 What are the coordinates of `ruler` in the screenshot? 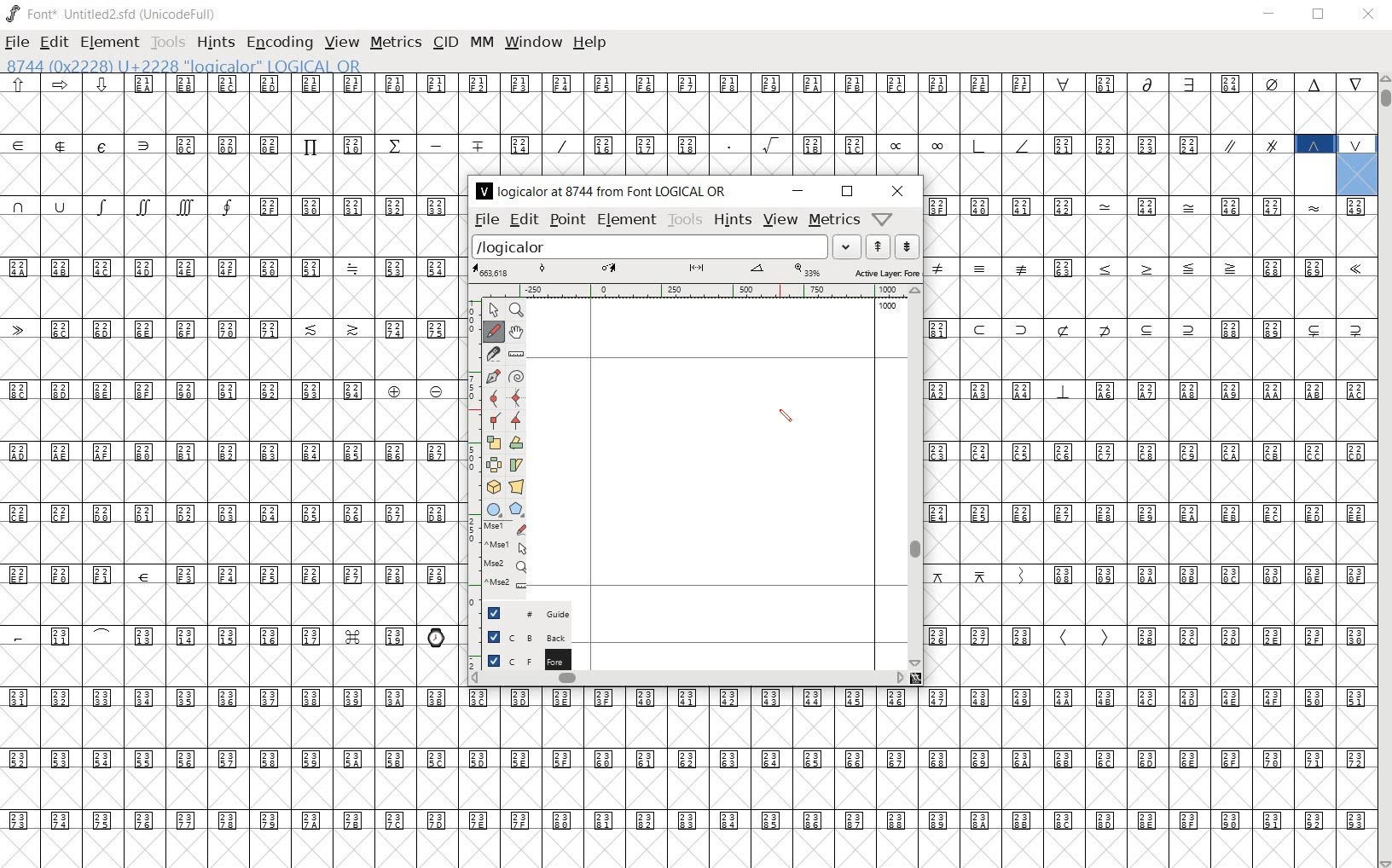 It's located at (690, 292).